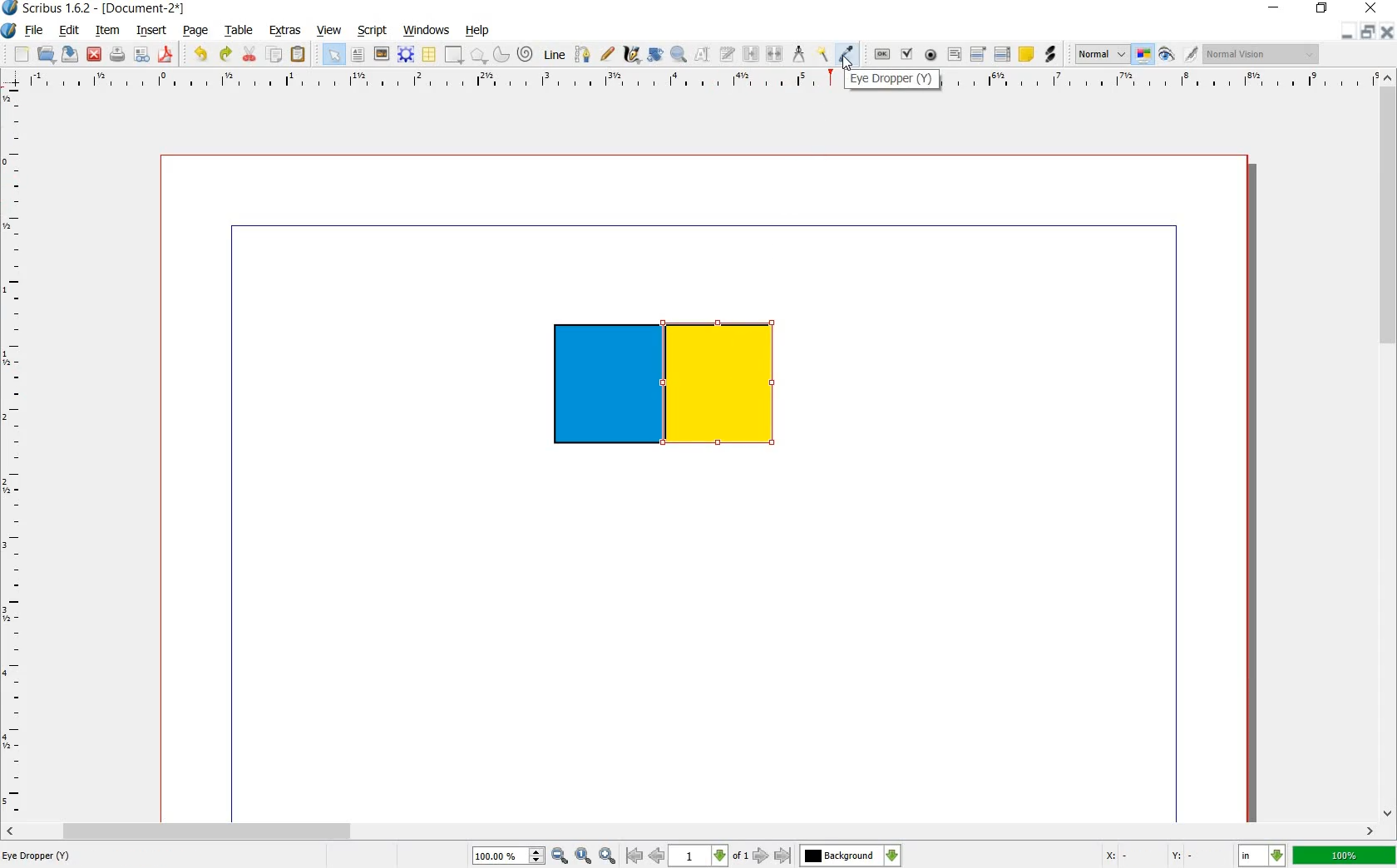  I want to click on windows, so click(428, 31).